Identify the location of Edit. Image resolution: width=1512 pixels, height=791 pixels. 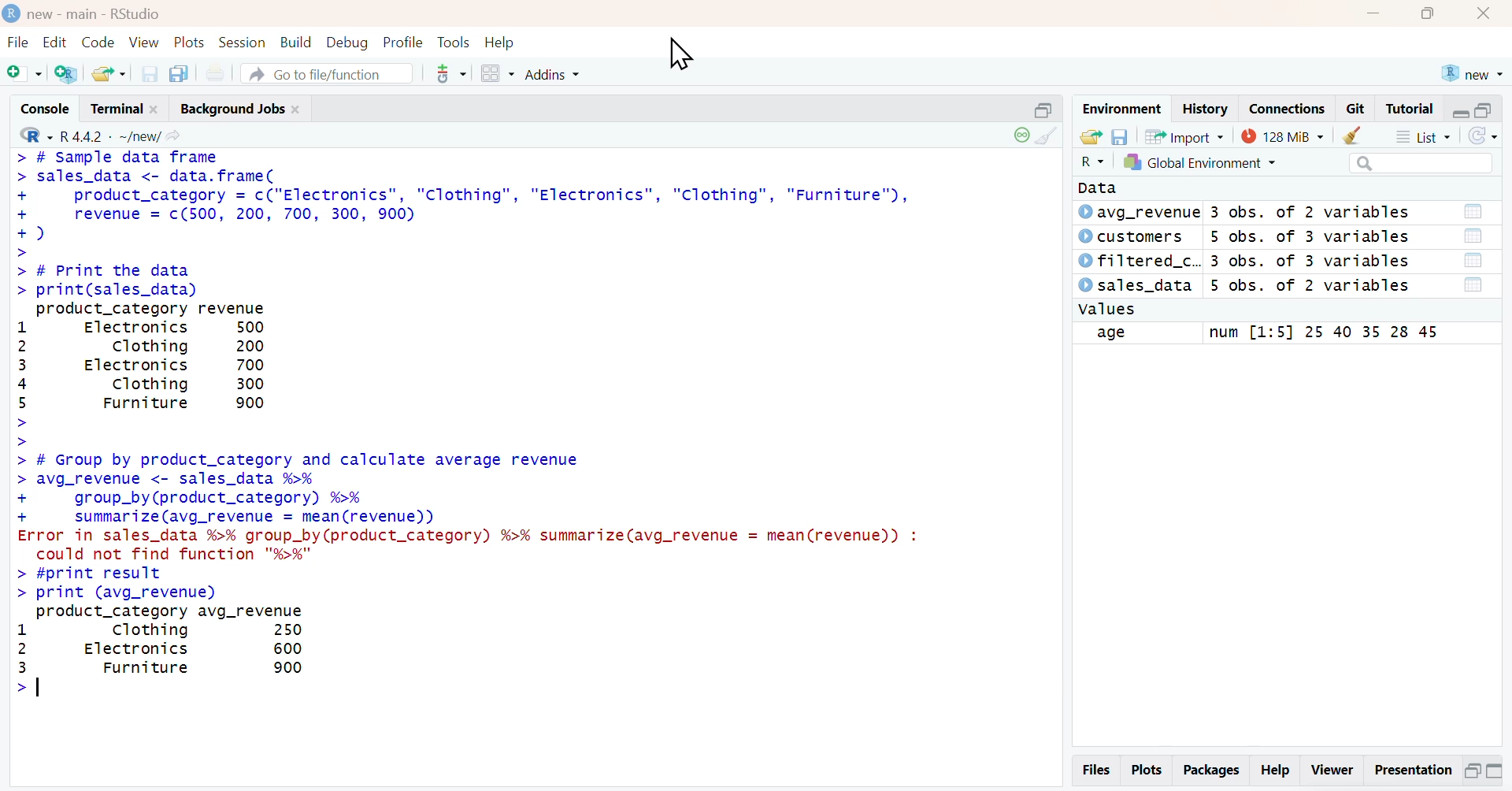
(54, 43).